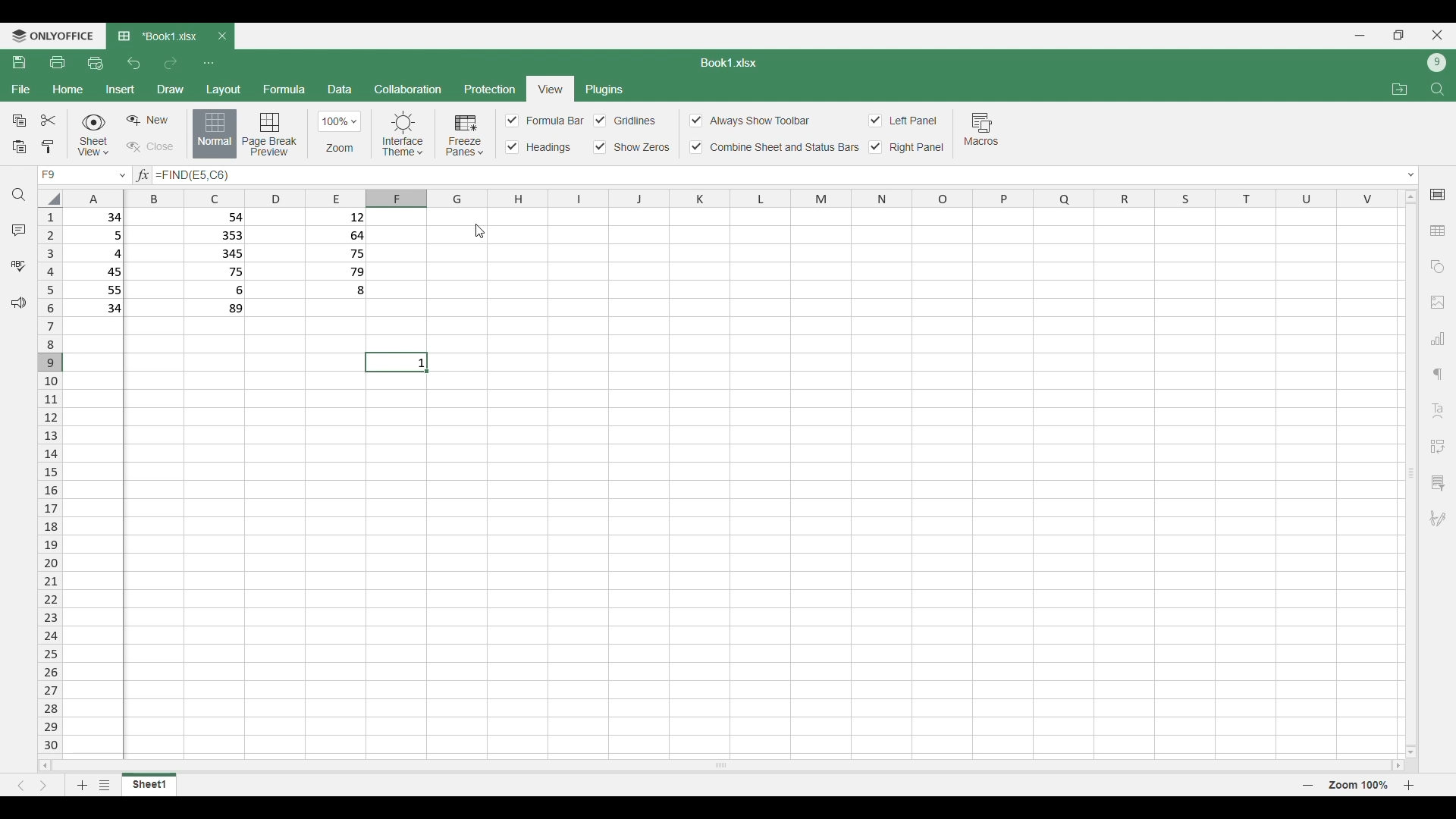 This screenshot has width=1456, height=819. I want to click on Save, so click(20, 63).